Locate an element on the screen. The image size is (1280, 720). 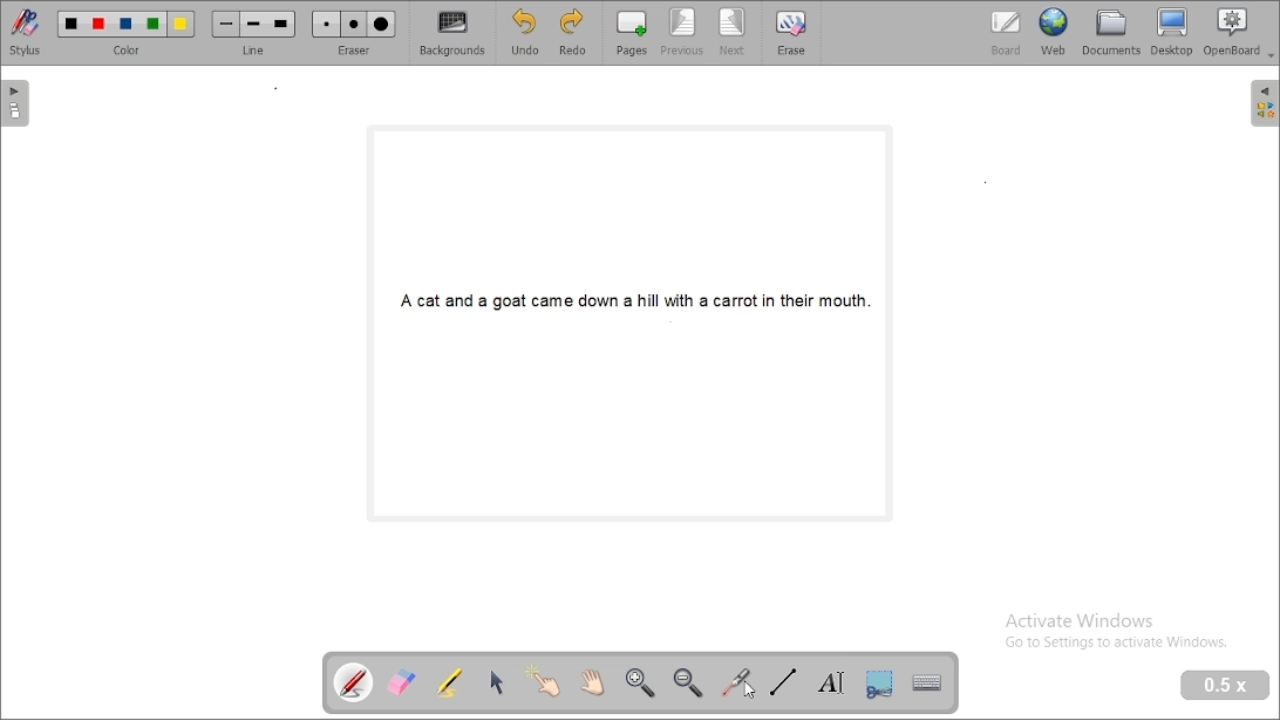
web is located at coordinates (1054, 32).